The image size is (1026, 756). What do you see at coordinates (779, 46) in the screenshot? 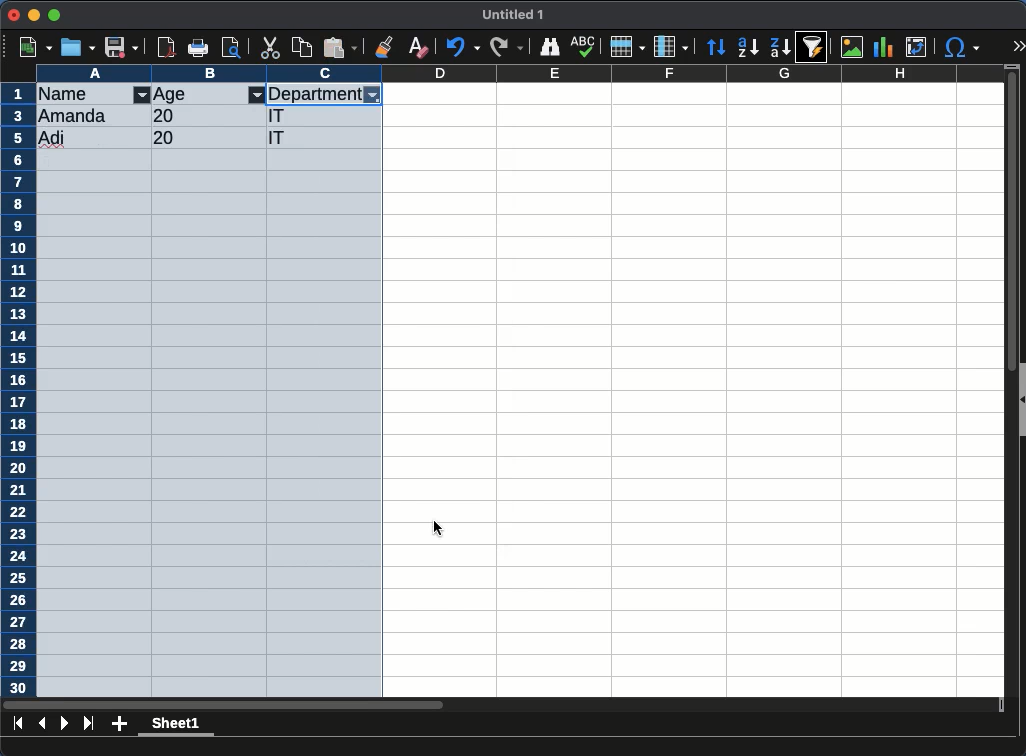
I see `descending` at bounding box center [779, 46].